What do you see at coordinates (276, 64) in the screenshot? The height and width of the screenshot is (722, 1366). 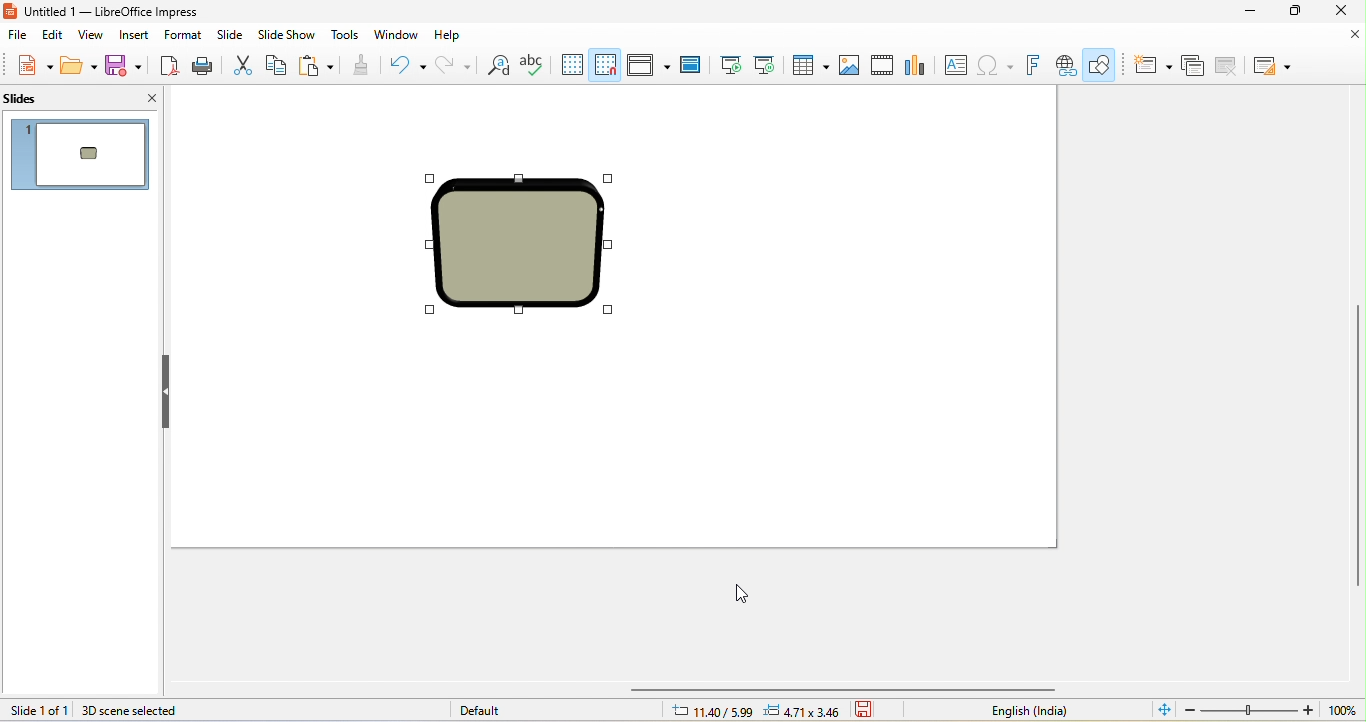 I see `copy` at bounding box center [276, 64].